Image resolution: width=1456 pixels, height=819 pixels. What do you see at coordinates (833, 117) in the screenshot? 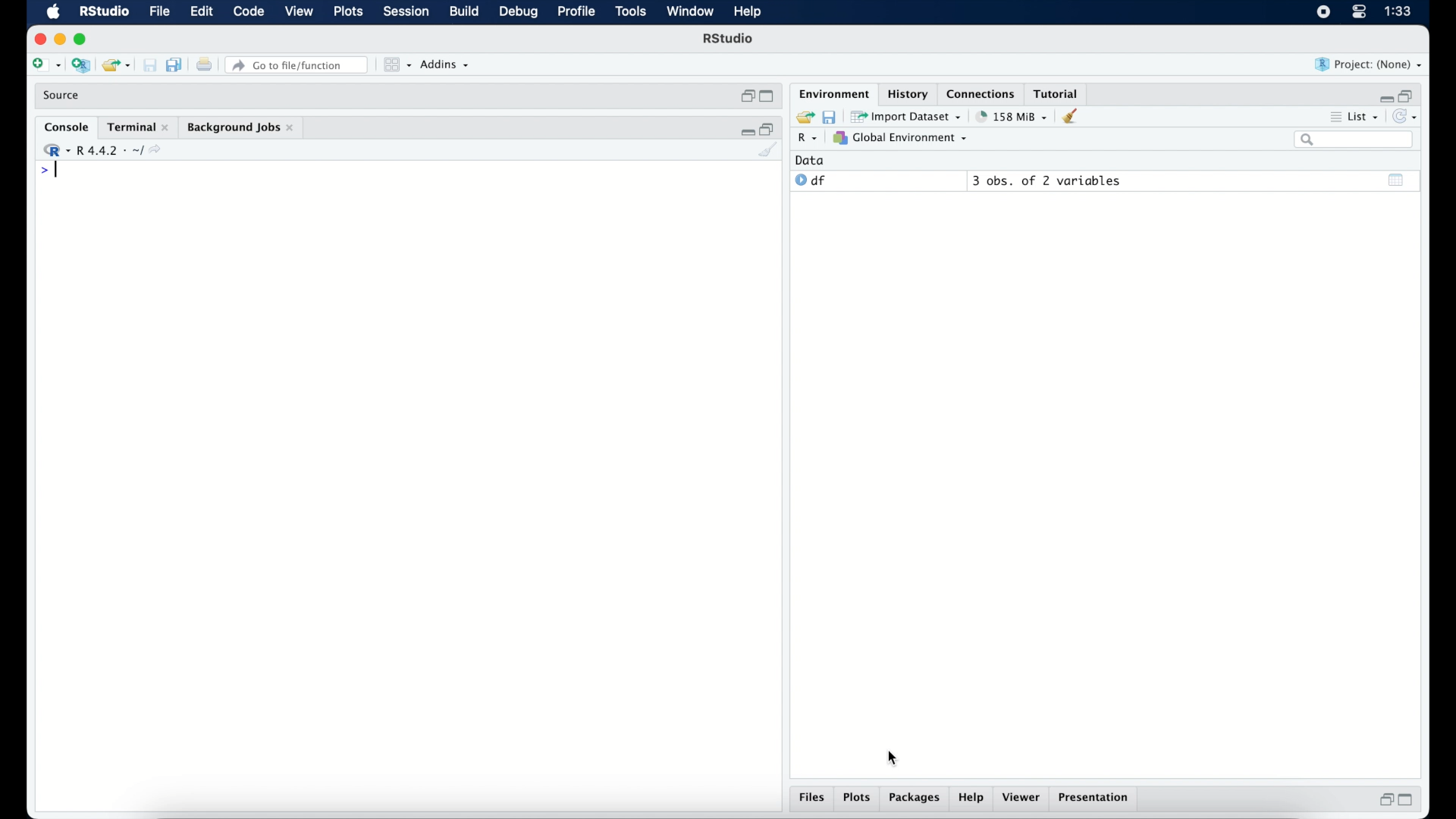
I see `save` at bounding box center [833, 117].